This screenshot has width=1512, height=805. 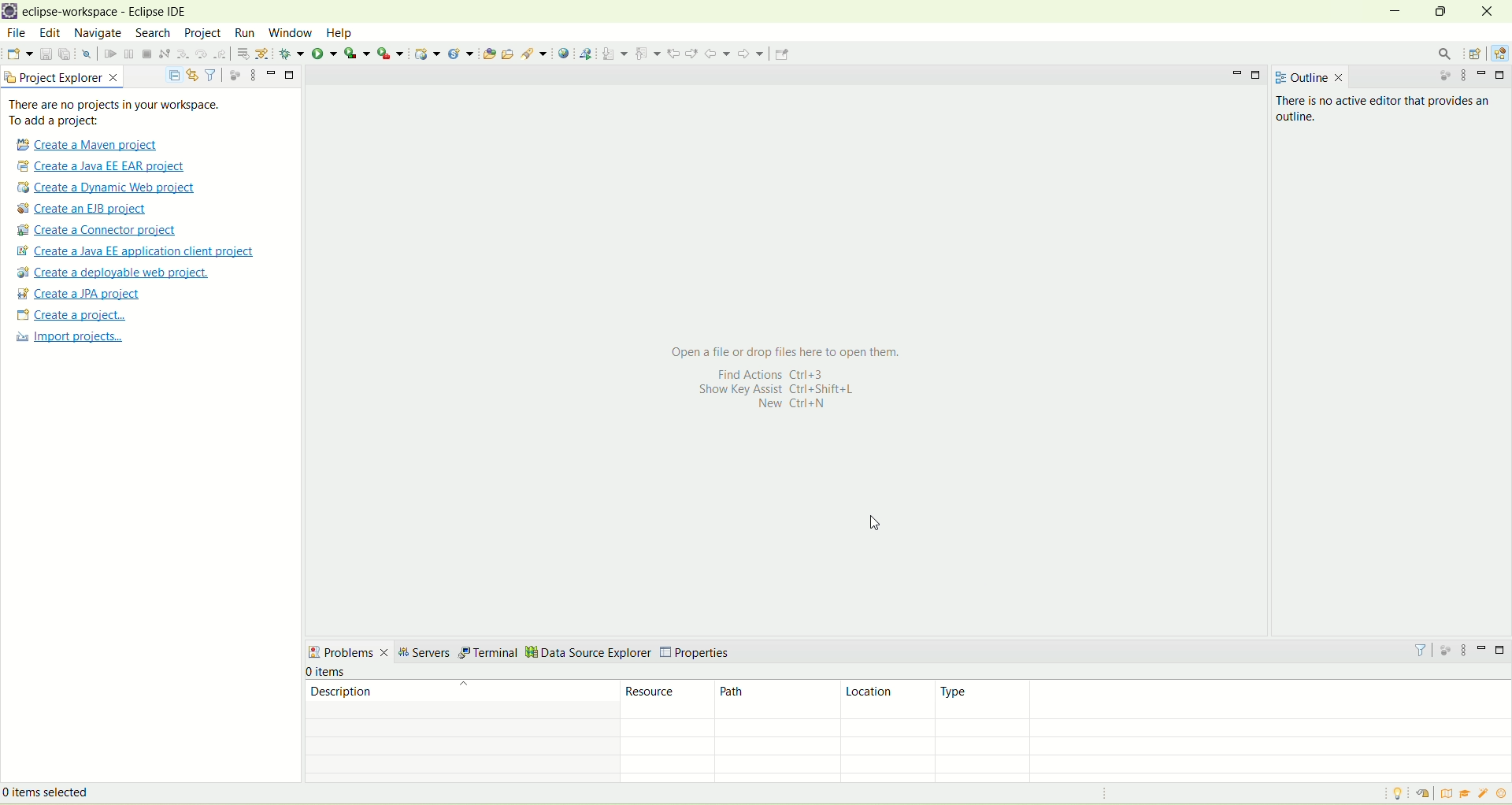 I want to click on use step filter, so click(x=328, y=54).